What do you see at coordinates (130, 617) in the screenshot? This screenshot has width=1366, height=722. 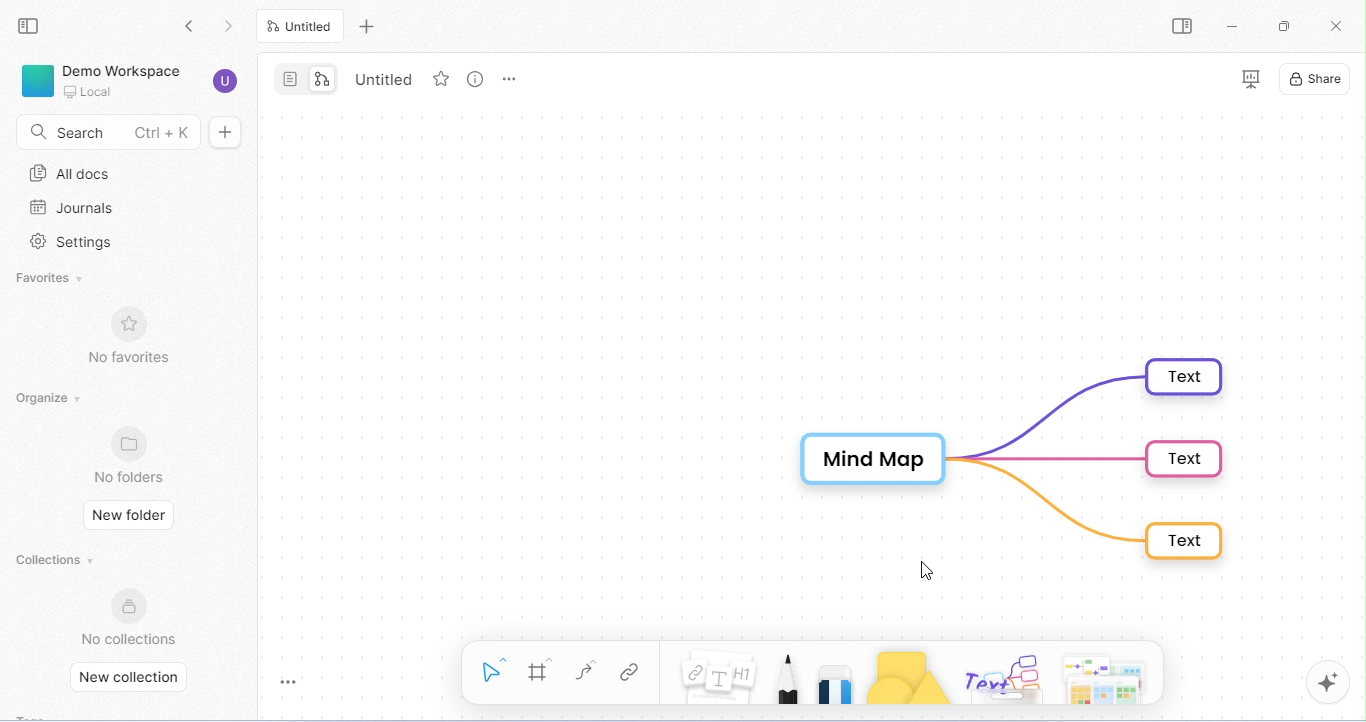 I see `no collections` at bounding box center [130, 617].